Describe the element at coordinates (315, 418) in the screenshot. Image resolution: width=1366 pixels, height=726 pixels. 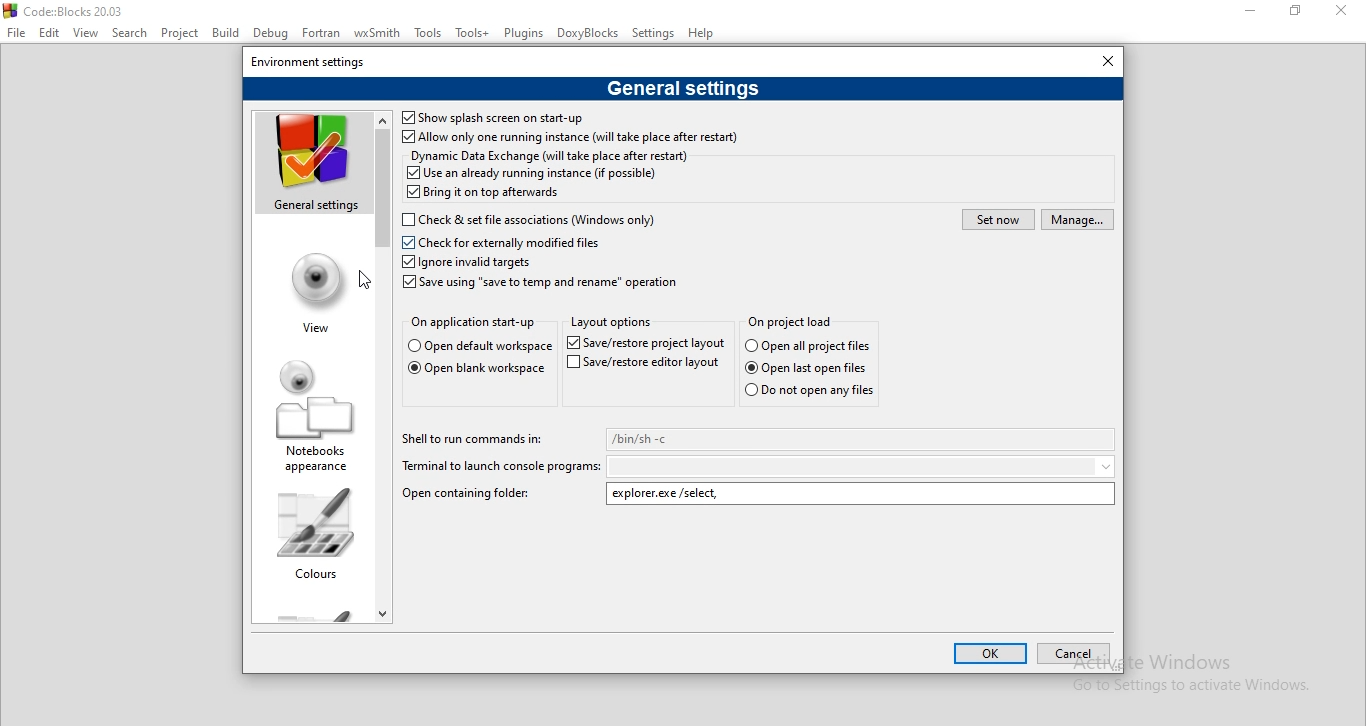
I see `notebooks appearance` at that location.